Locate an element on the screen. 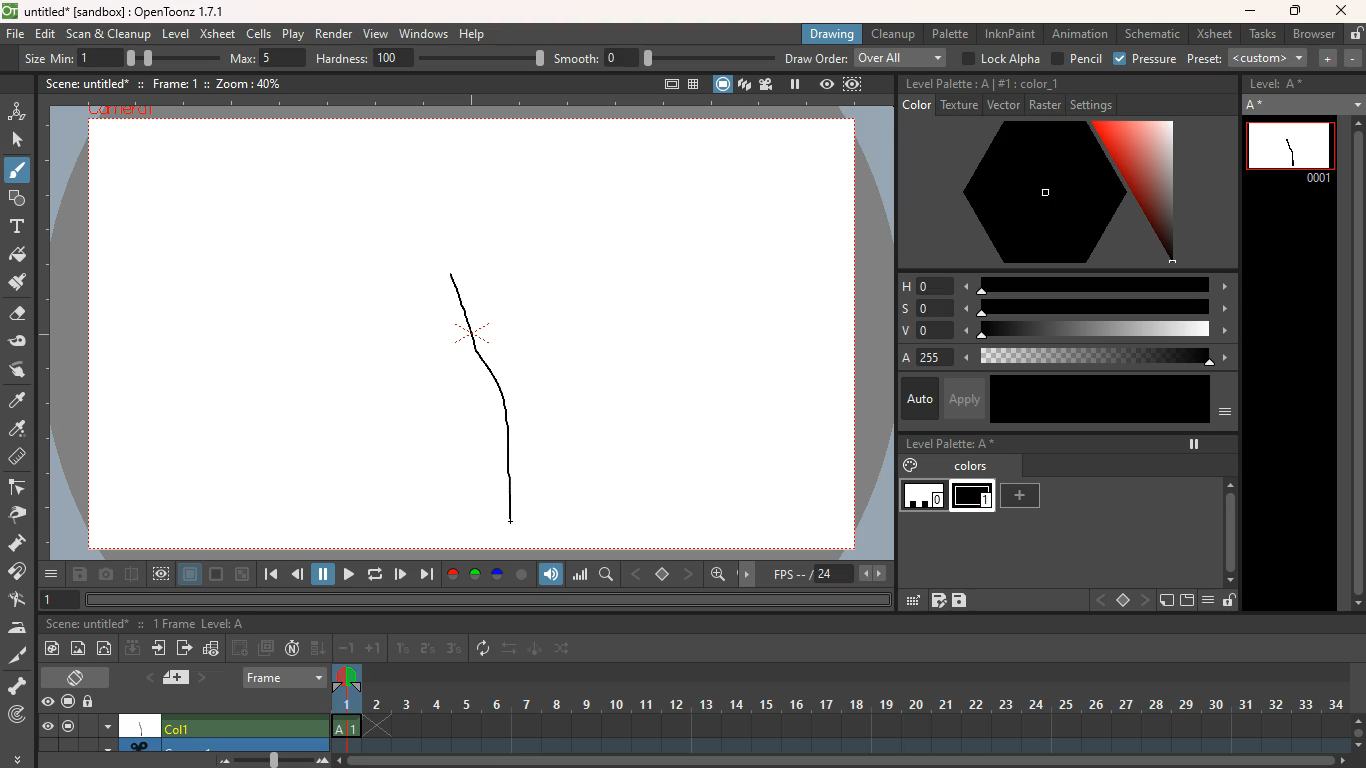 The height and width of the screenshot is (768, 1366). pencil is located at coordinates (1077, 59).